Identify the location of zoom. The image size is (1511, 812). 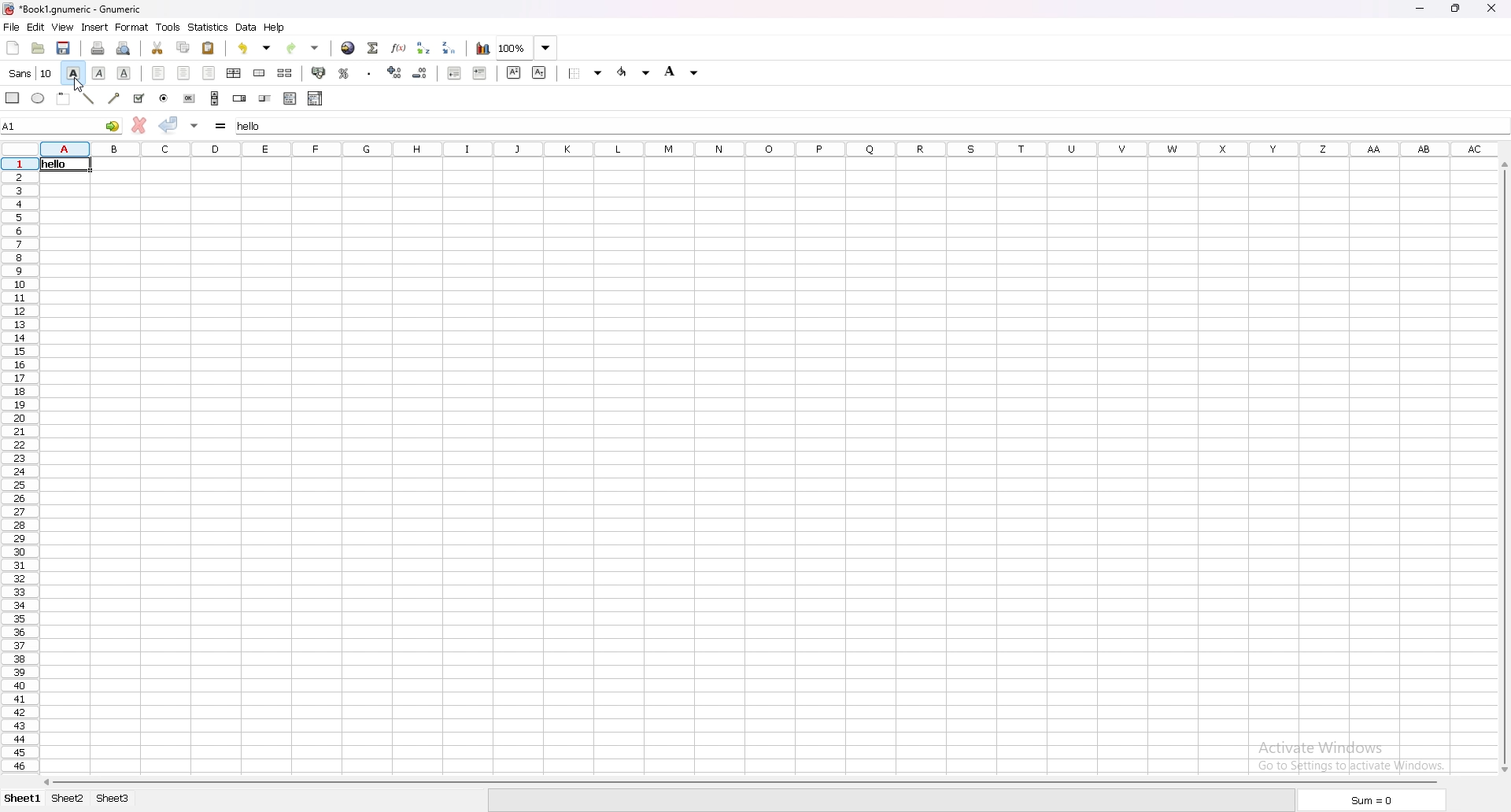
(527, 47).